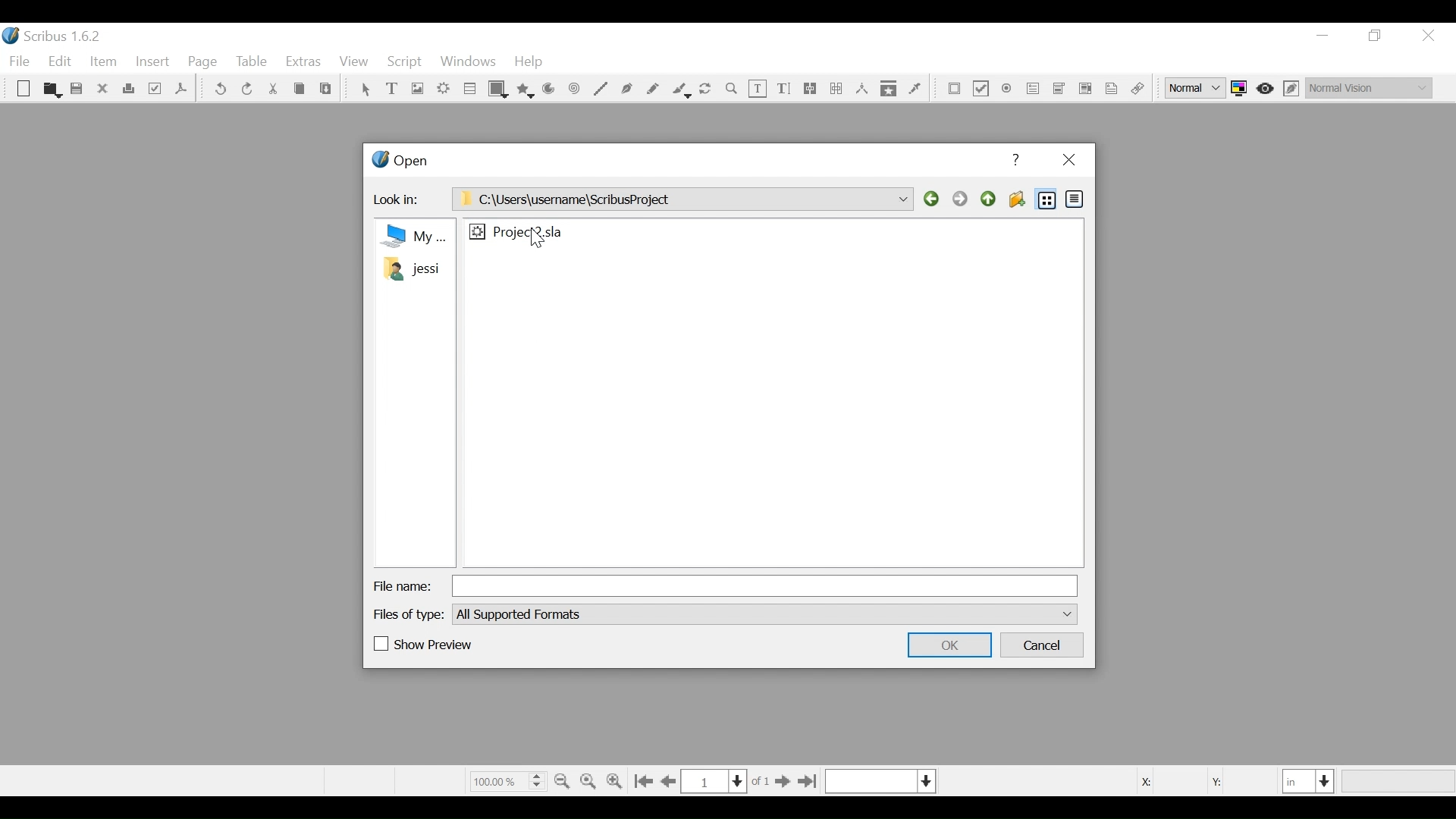 Image resolution: width=1456 pixels, height=819 pixels. Describe the element at coordinates (654, 89) in the screenshot. I see `Freehand line` at that location.